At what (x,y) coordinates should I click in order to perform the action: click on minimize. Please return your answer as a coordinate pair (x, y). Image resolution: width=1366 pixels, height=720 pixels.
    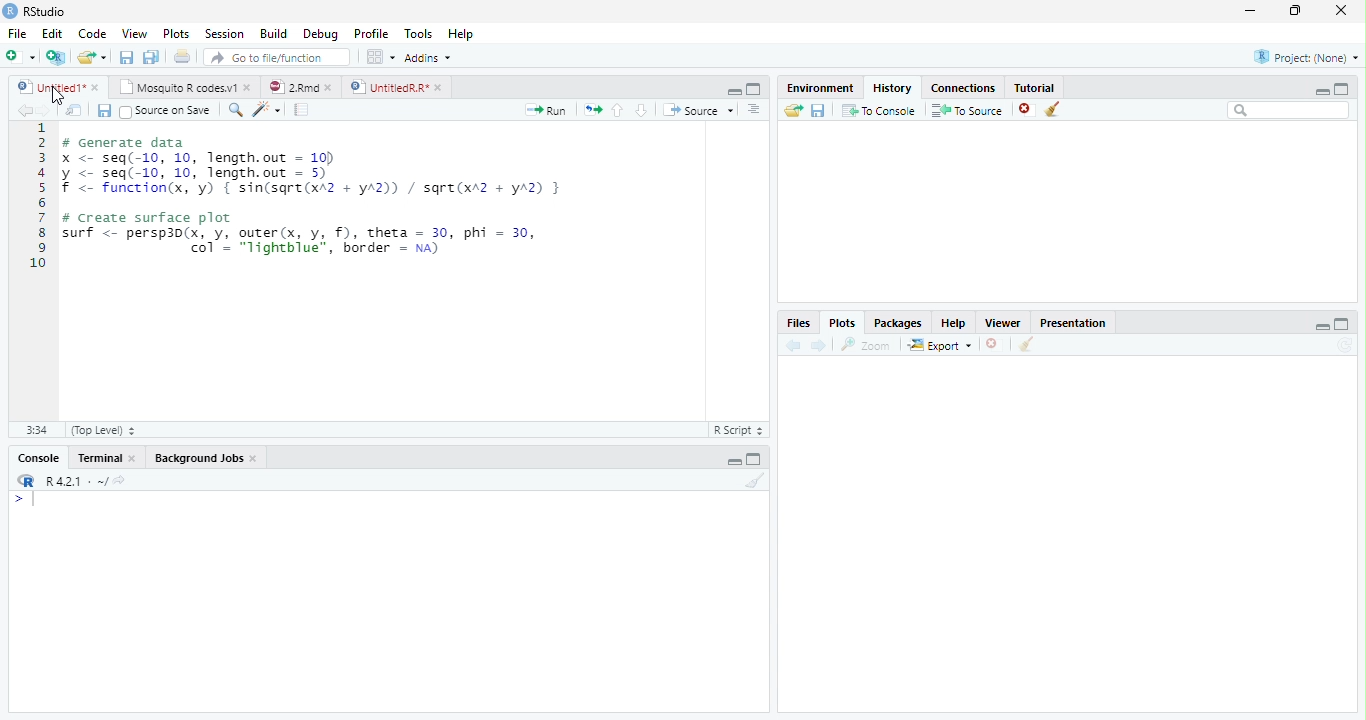
    Looking at the image, I should click on (1250, 10).